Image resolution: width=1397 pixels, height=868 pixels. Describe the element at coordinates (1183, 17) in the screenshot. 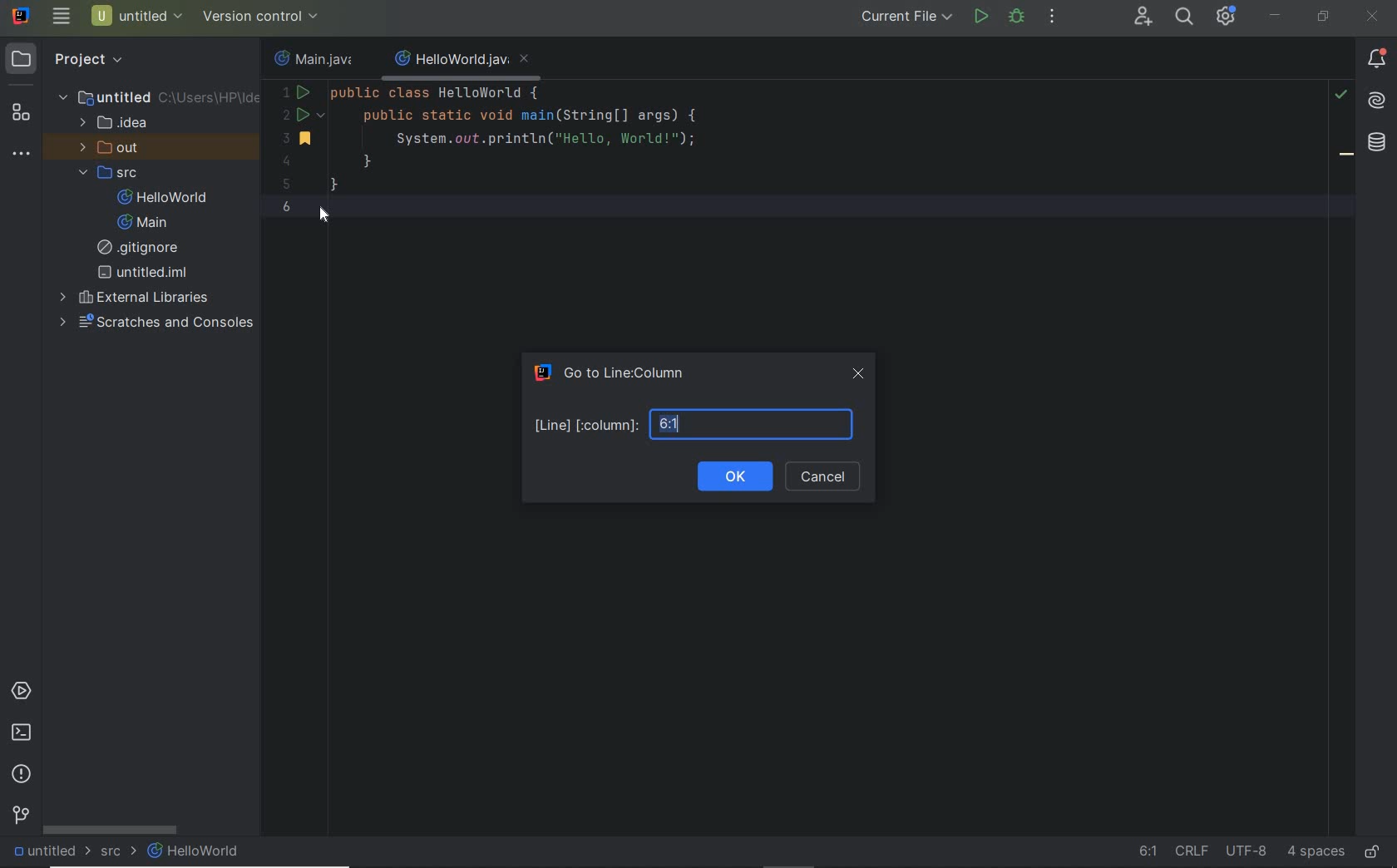

I see `search everywhere` at that location.